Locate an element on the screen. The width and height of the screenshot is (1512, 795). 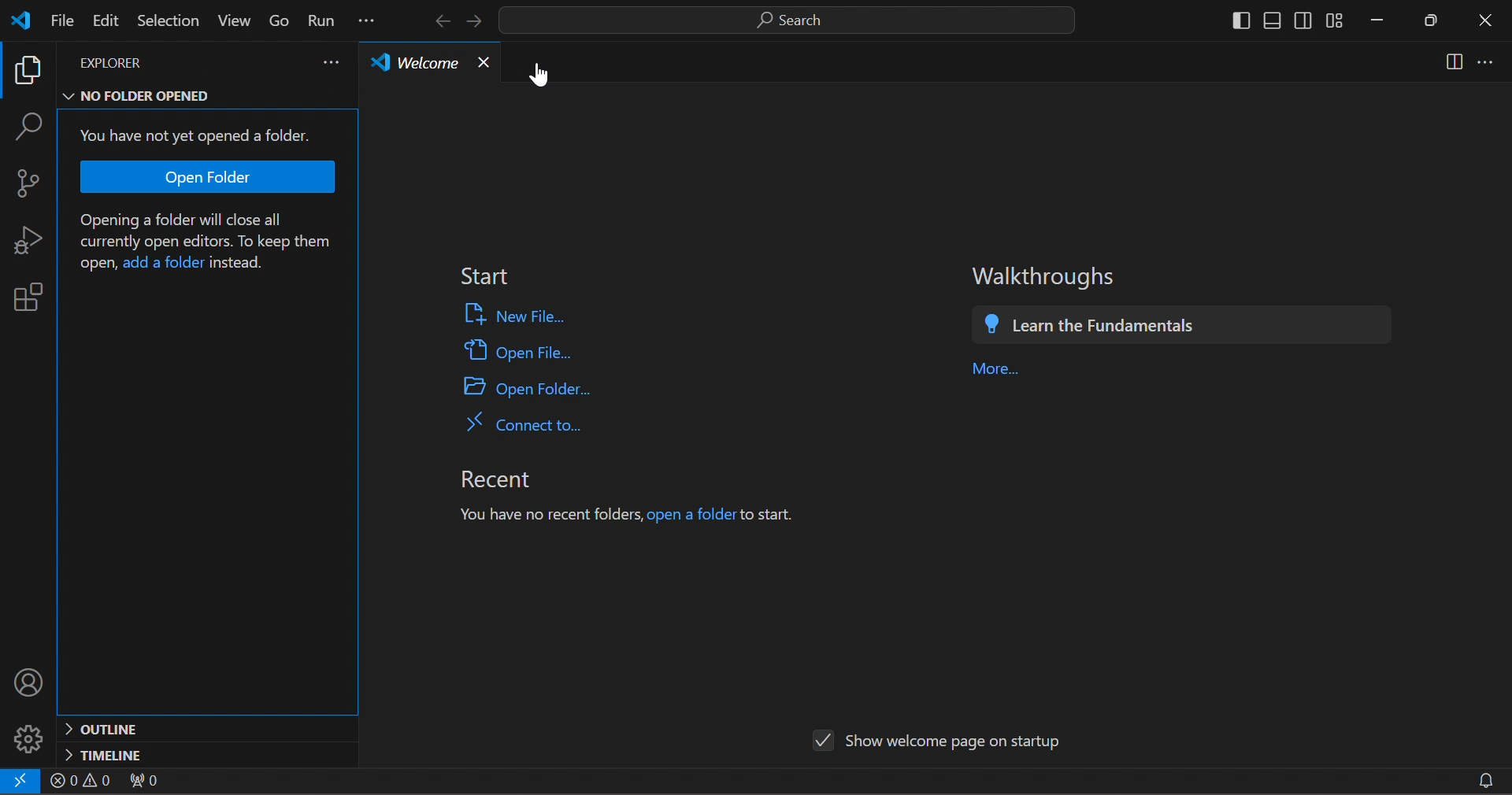
logo is located at coordinates (25, 20).